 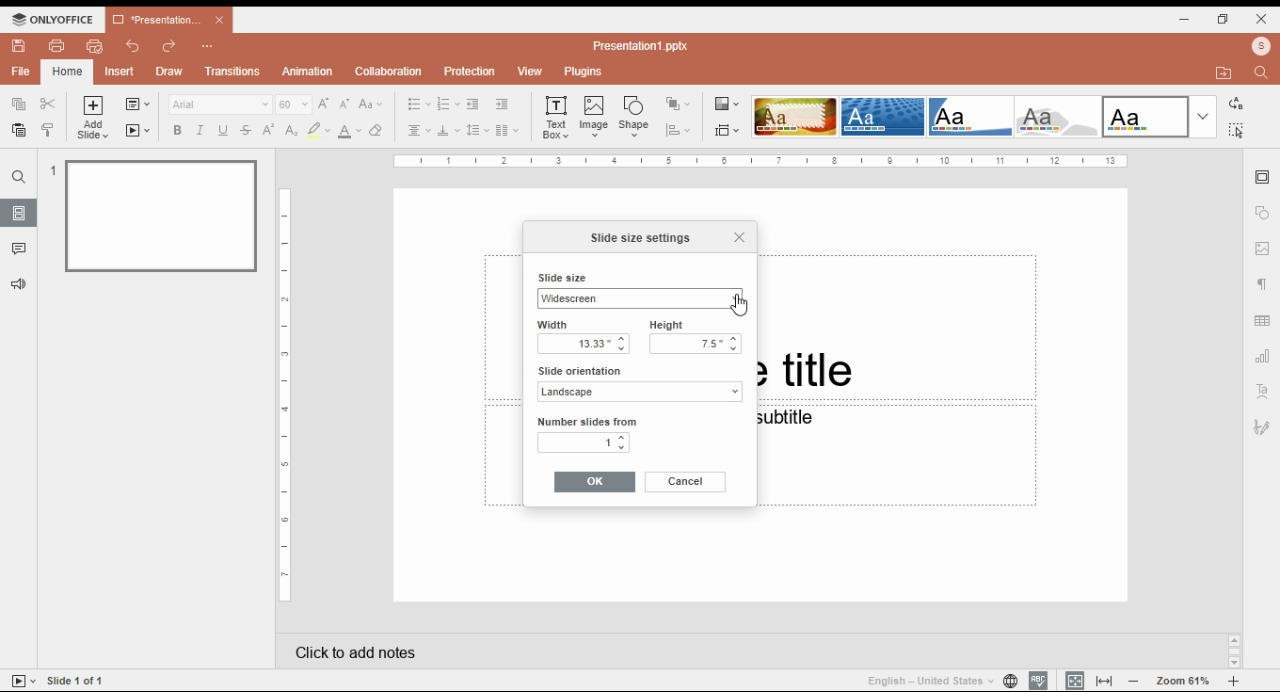 What do you see at coordinates (232, 71) in the screenshot?
I see `transitions` at bounding box center [232, 71].